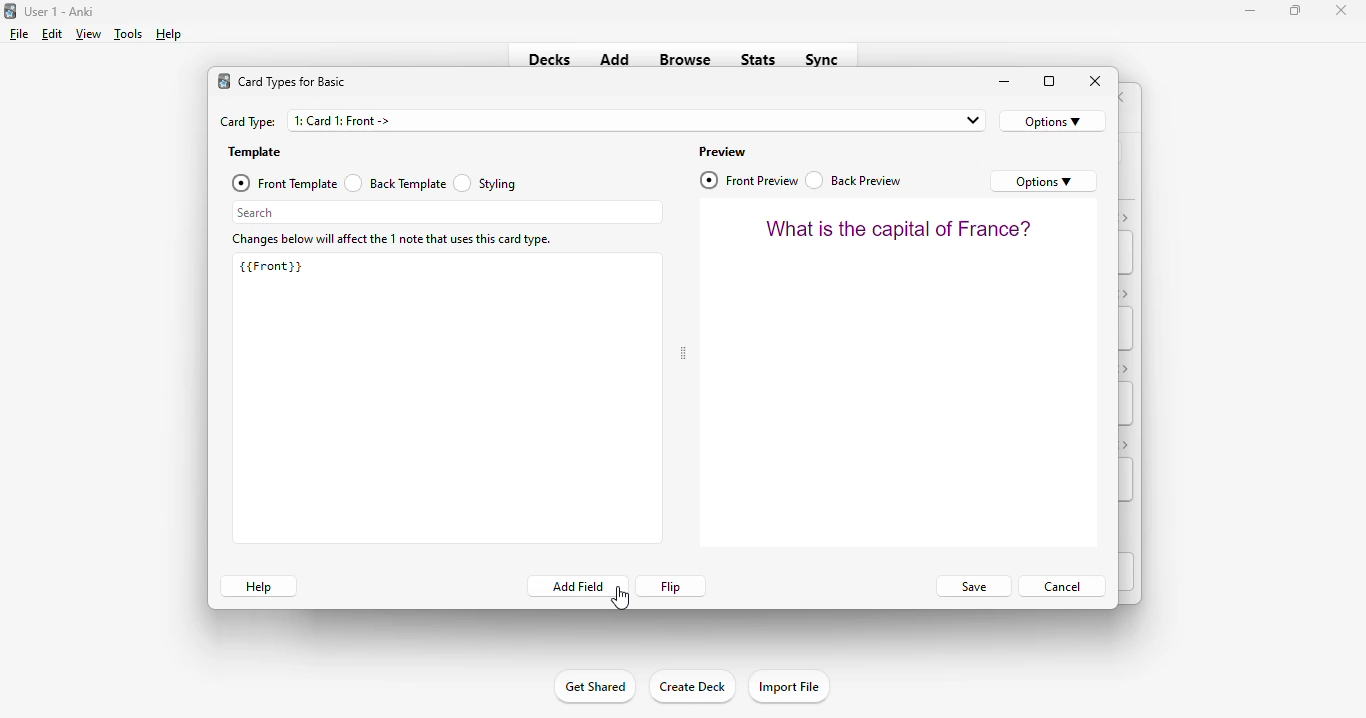 The height and width of the screenshot is (718, 1366). Describe the element at coordinates (1251, 10) in the screenshot. I see `minimize` at that location.